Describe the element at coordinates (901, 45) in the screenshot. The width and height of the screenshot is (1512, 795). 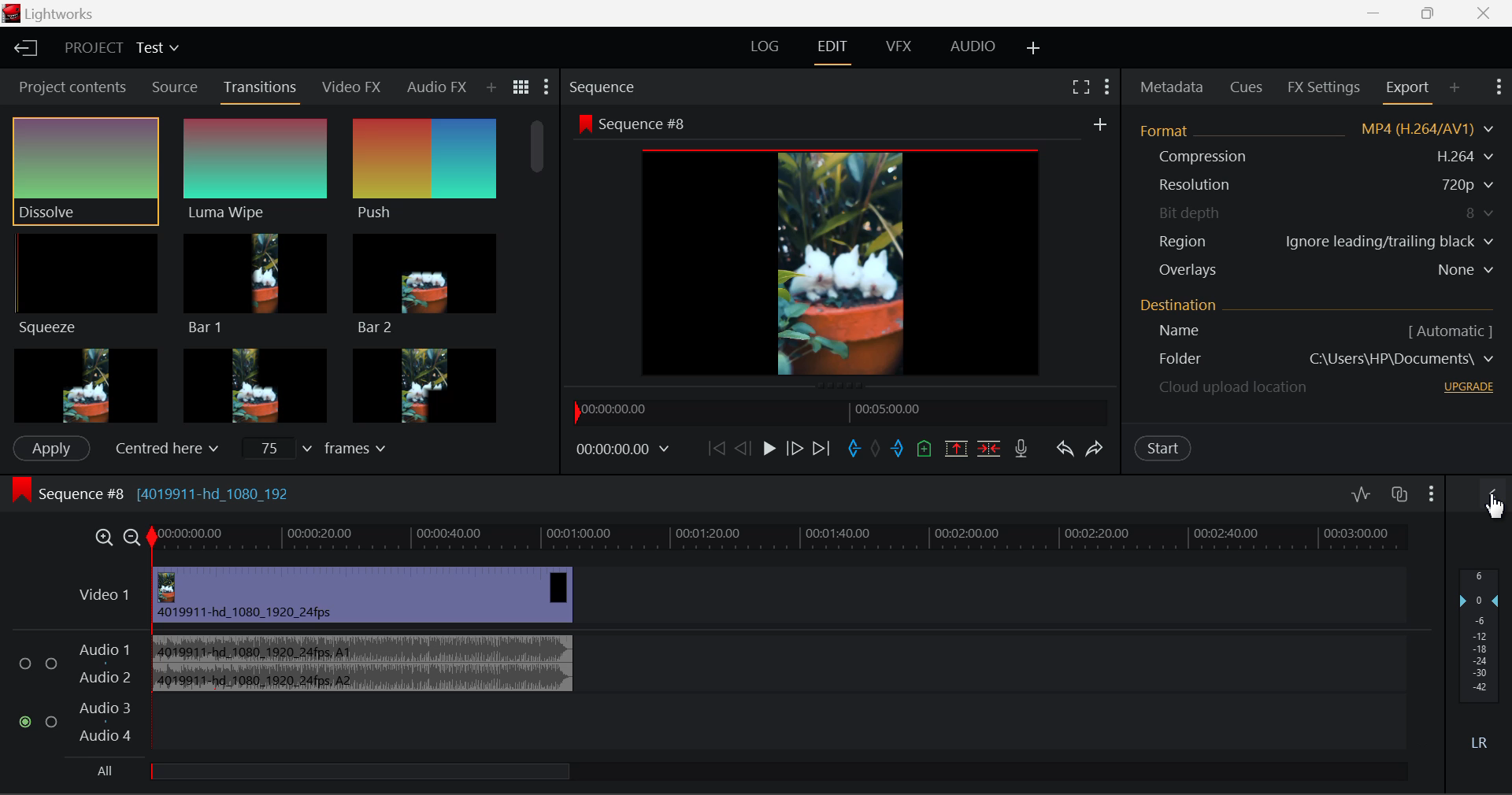
I see `VFX Layout` at that location.